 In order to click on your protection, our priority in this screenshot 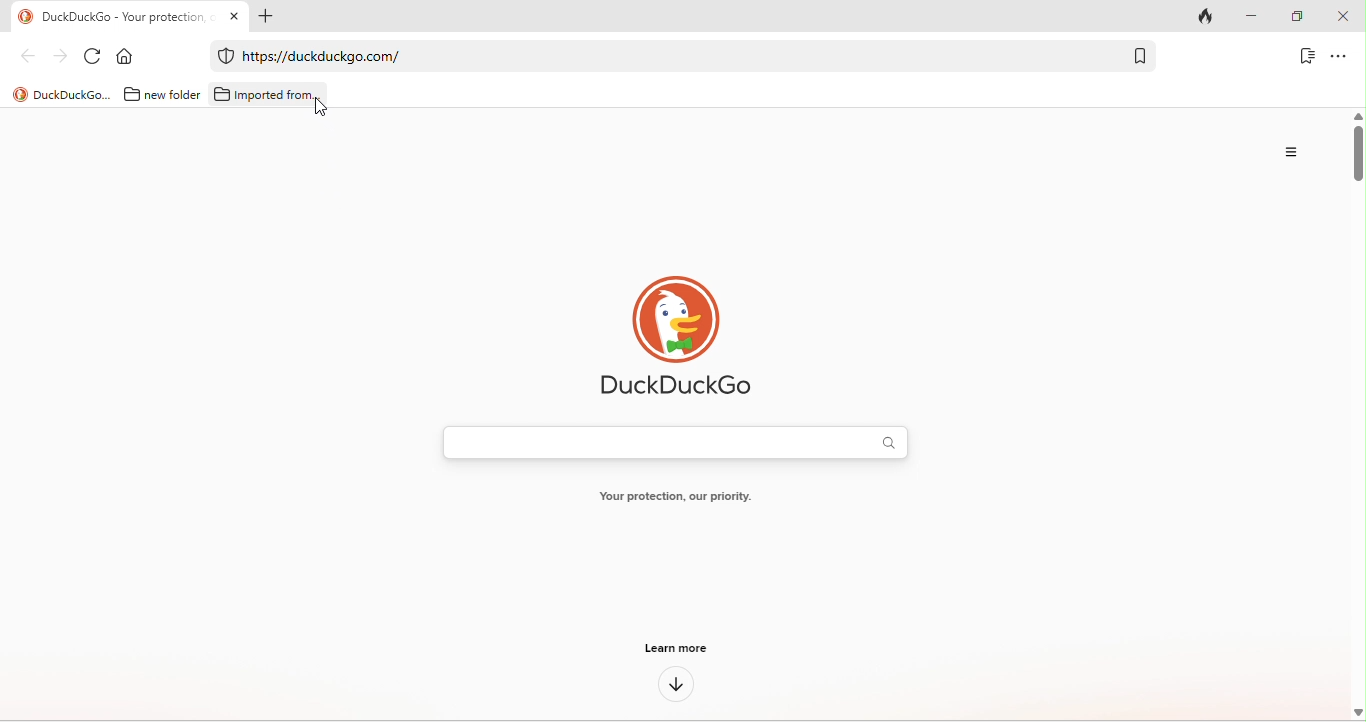, I will do `click(674, 498)`.